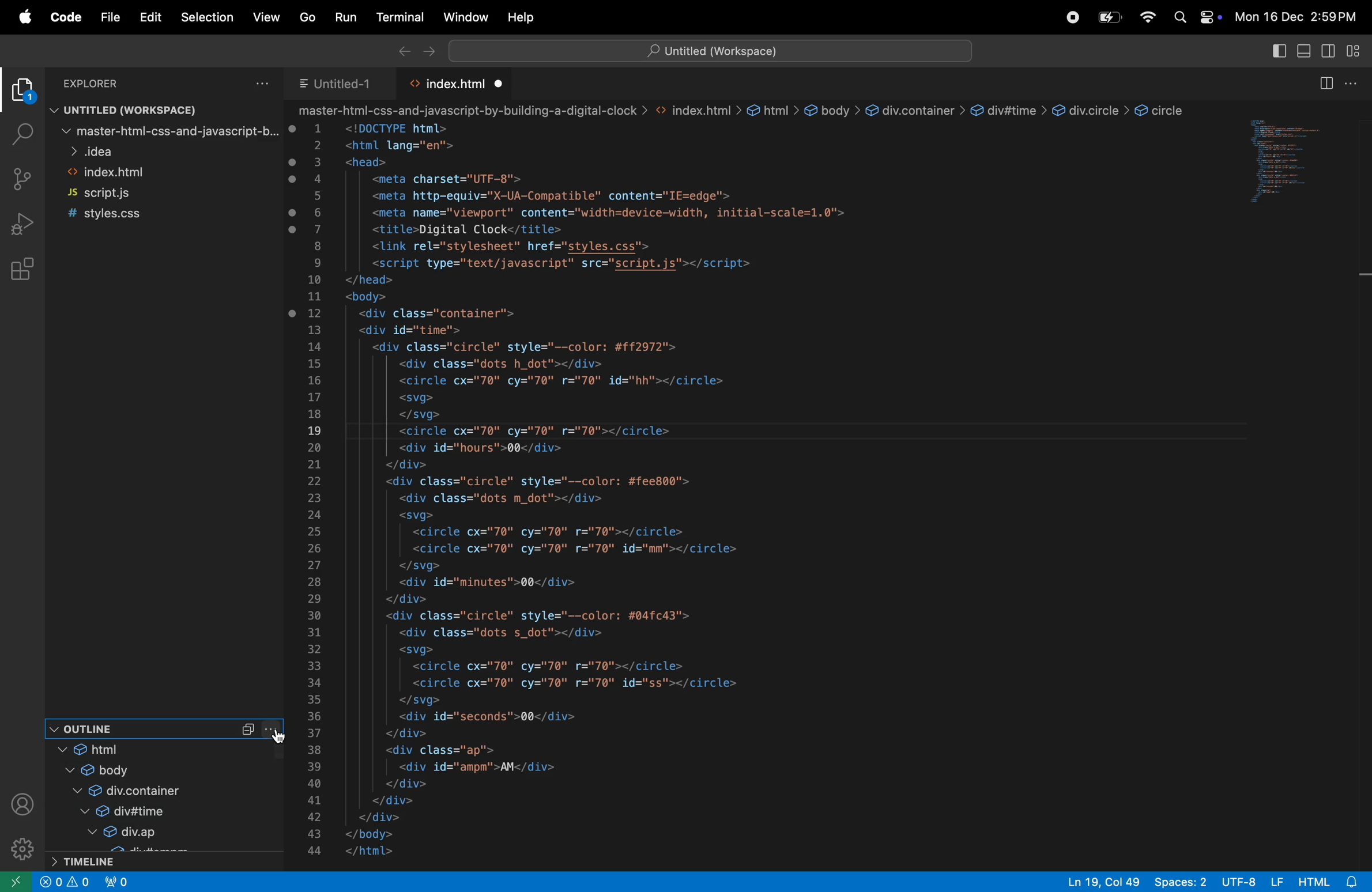 The width and height of the screenshot is (1372, 892). What do you see at coordinates (138, 727) in the screenshot?
I see `out line` at bounding box center [138, 727].